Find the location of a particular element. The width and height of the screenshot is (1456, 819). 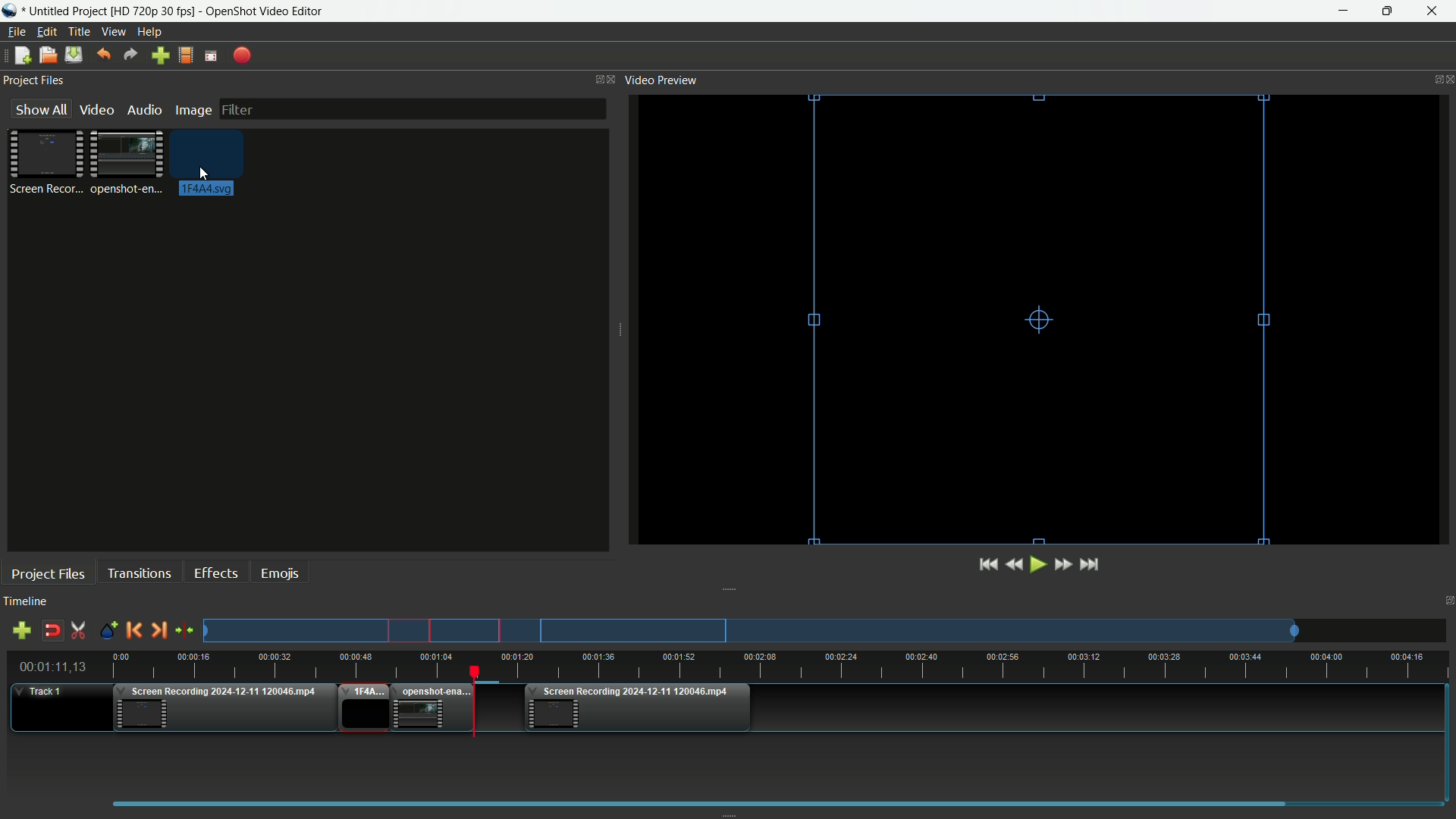

filter bar is located at coordinates (411, 107).